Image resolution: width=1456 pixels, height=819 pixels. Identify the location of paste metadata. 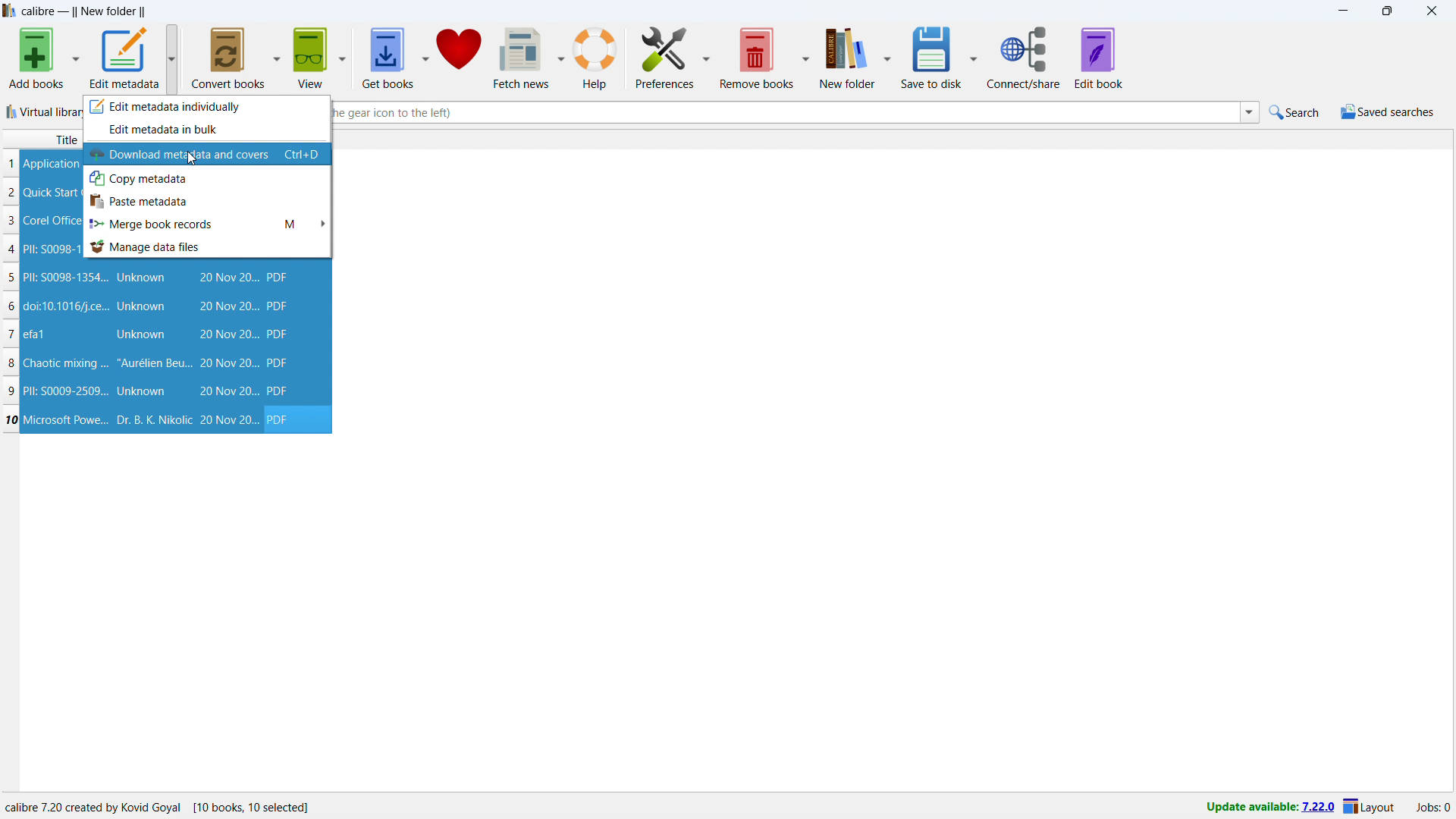
(207, 201).